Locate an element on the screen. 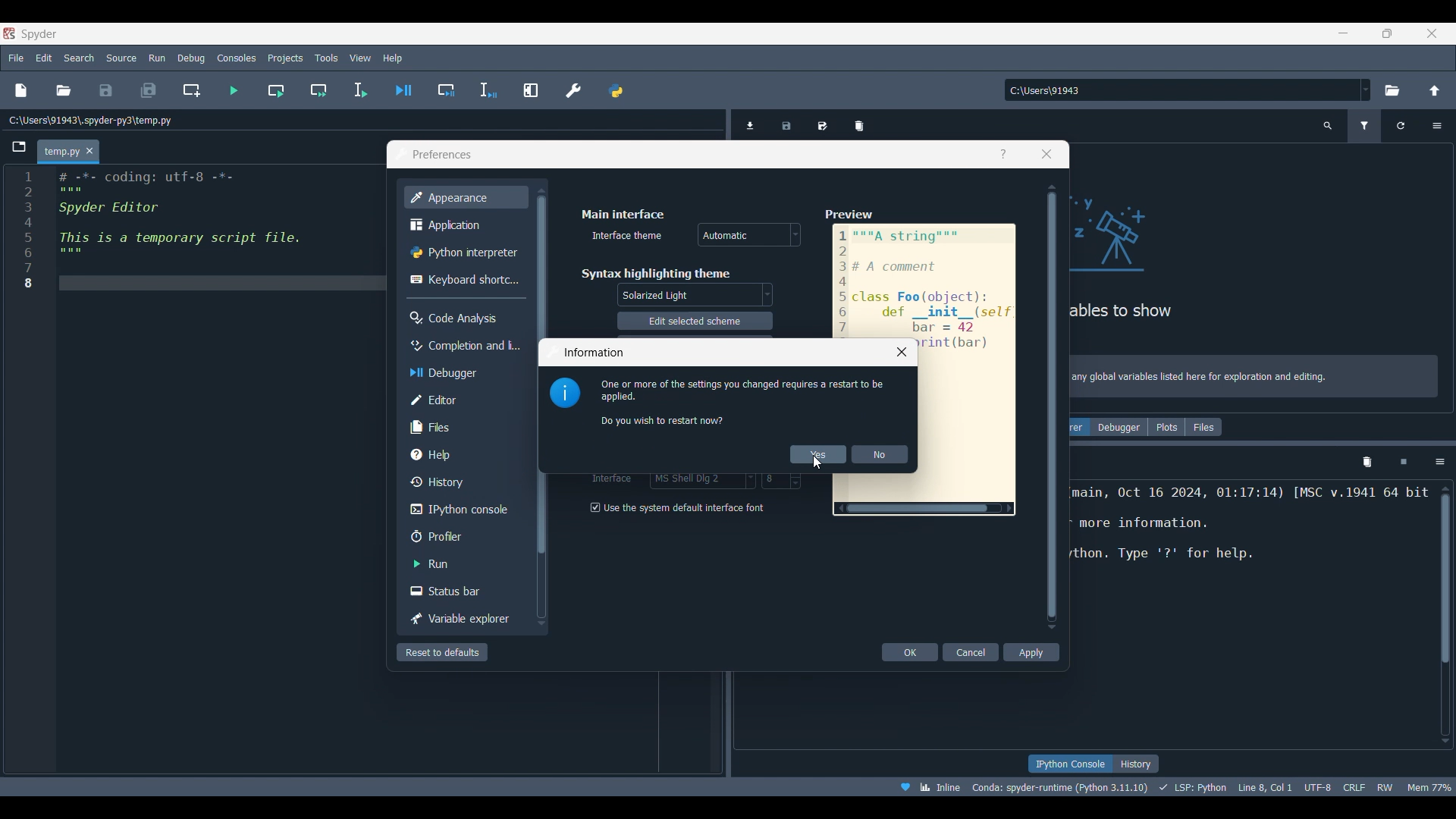 Image resolution: width=1456 pixels, height=819 pixels. File path is located at coordinates (91, 120).